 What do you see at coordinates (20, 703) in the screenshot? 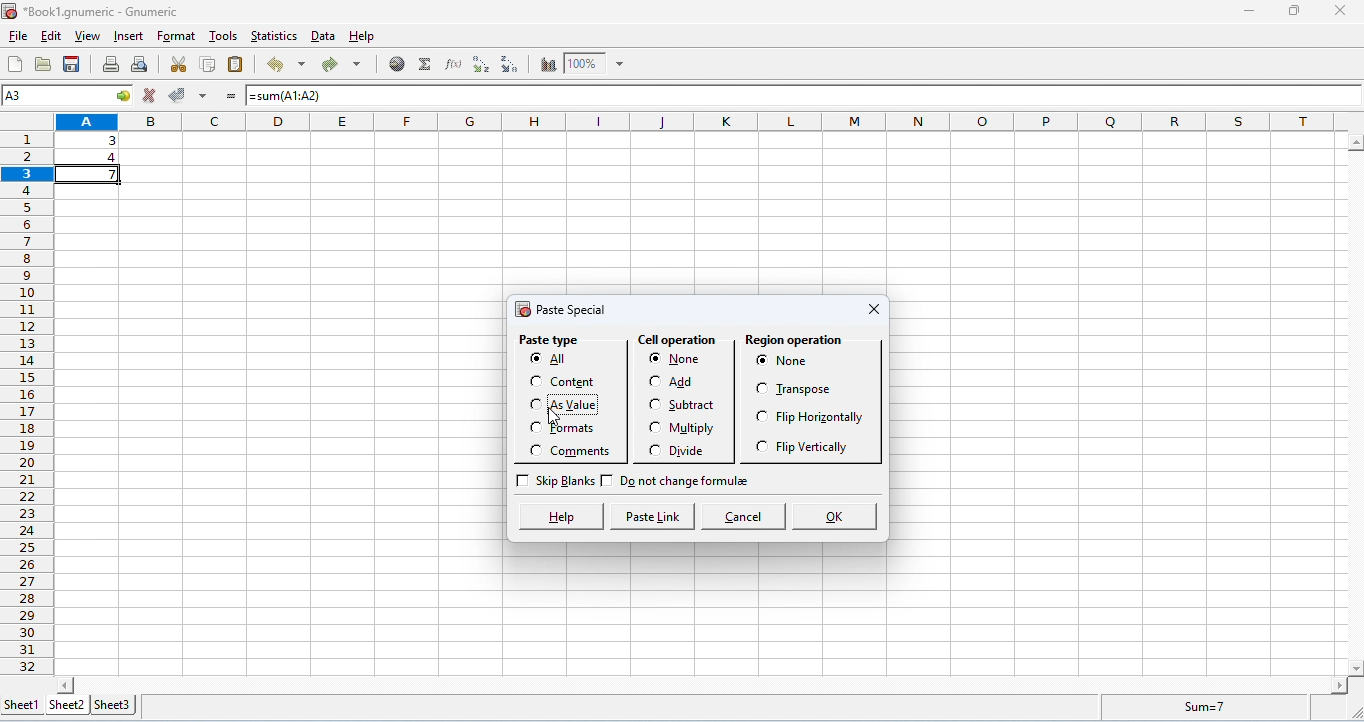
I see `sheet 1` at bounding box center [20, 703].